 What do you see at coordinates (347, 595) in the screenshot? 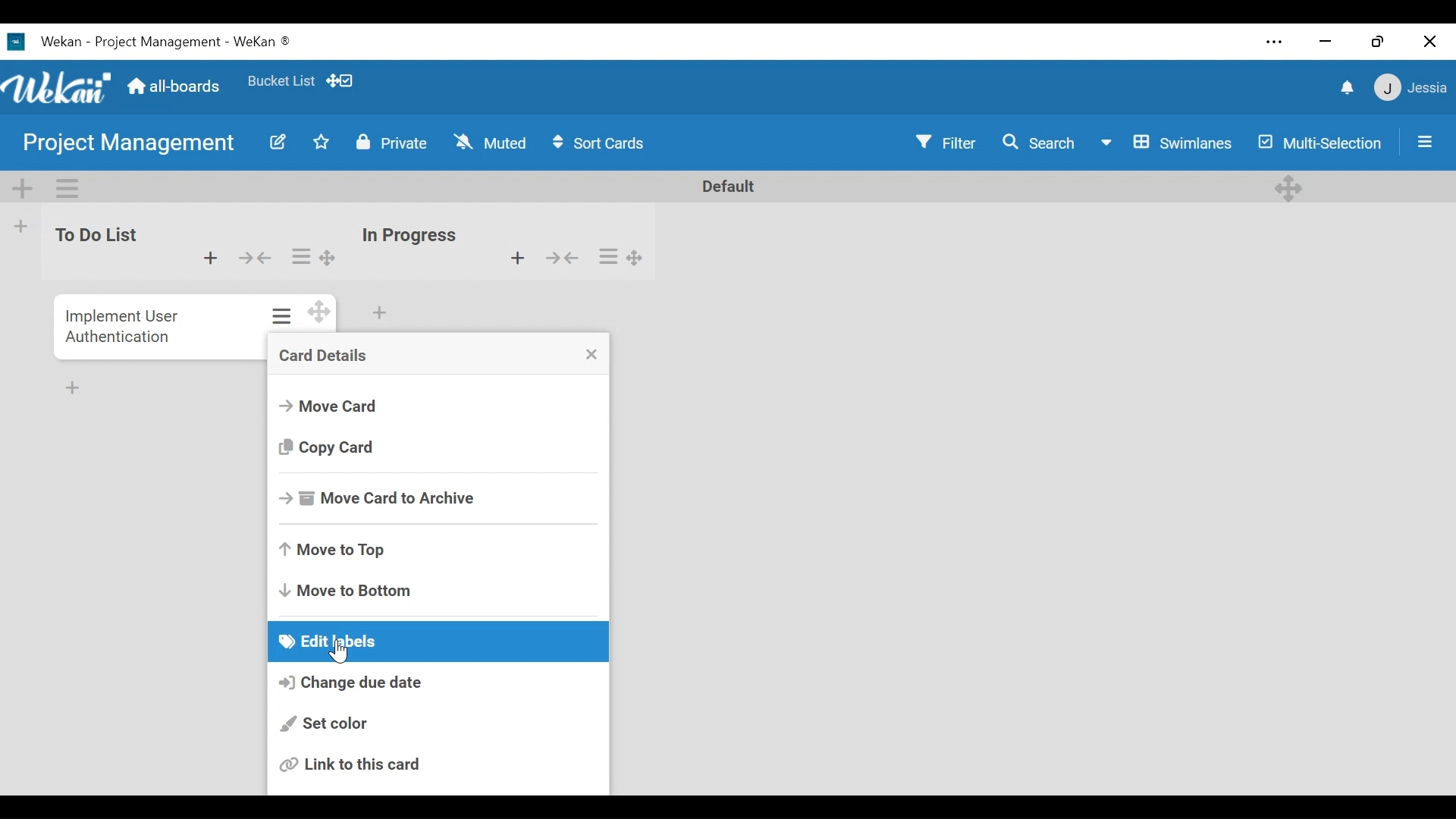
I see `- Move to Bottom` at bounding box center [347, 595].